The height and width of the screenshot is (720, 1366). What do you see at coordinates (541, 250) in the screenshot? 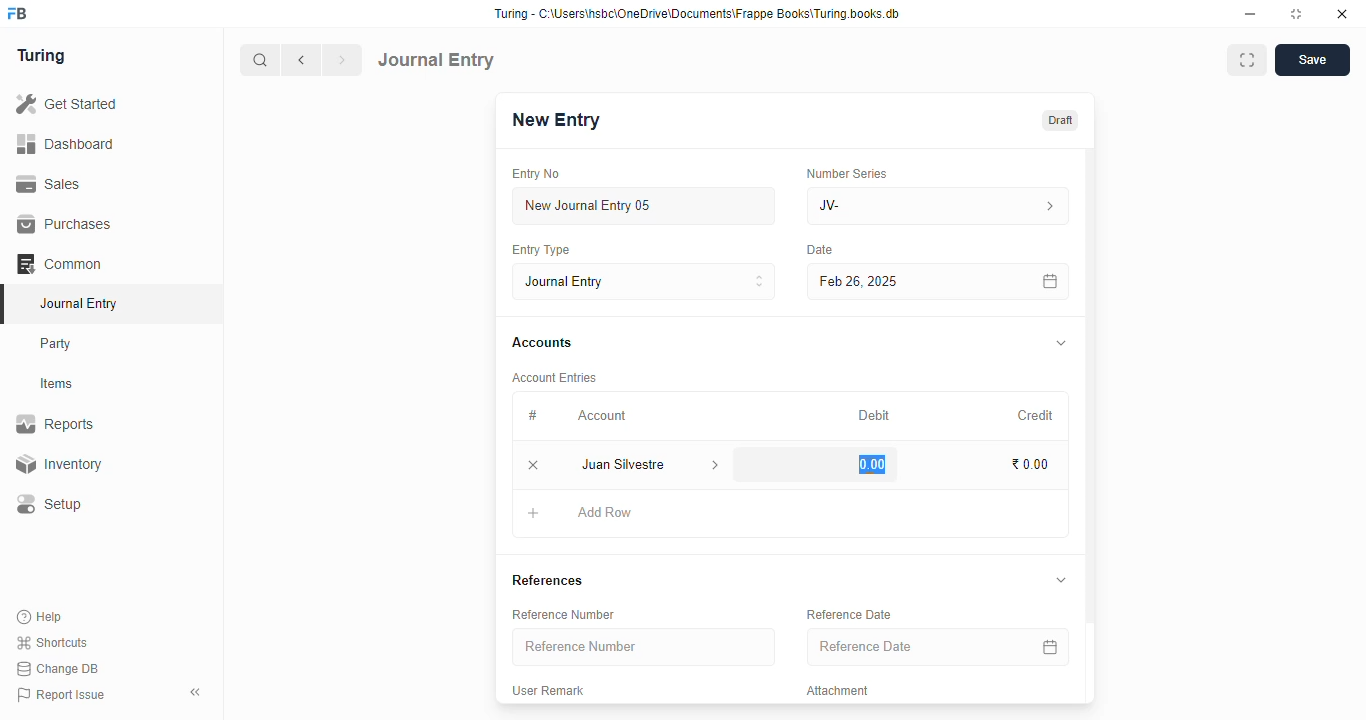
I see `entry type` at bounding box center [541, 250].